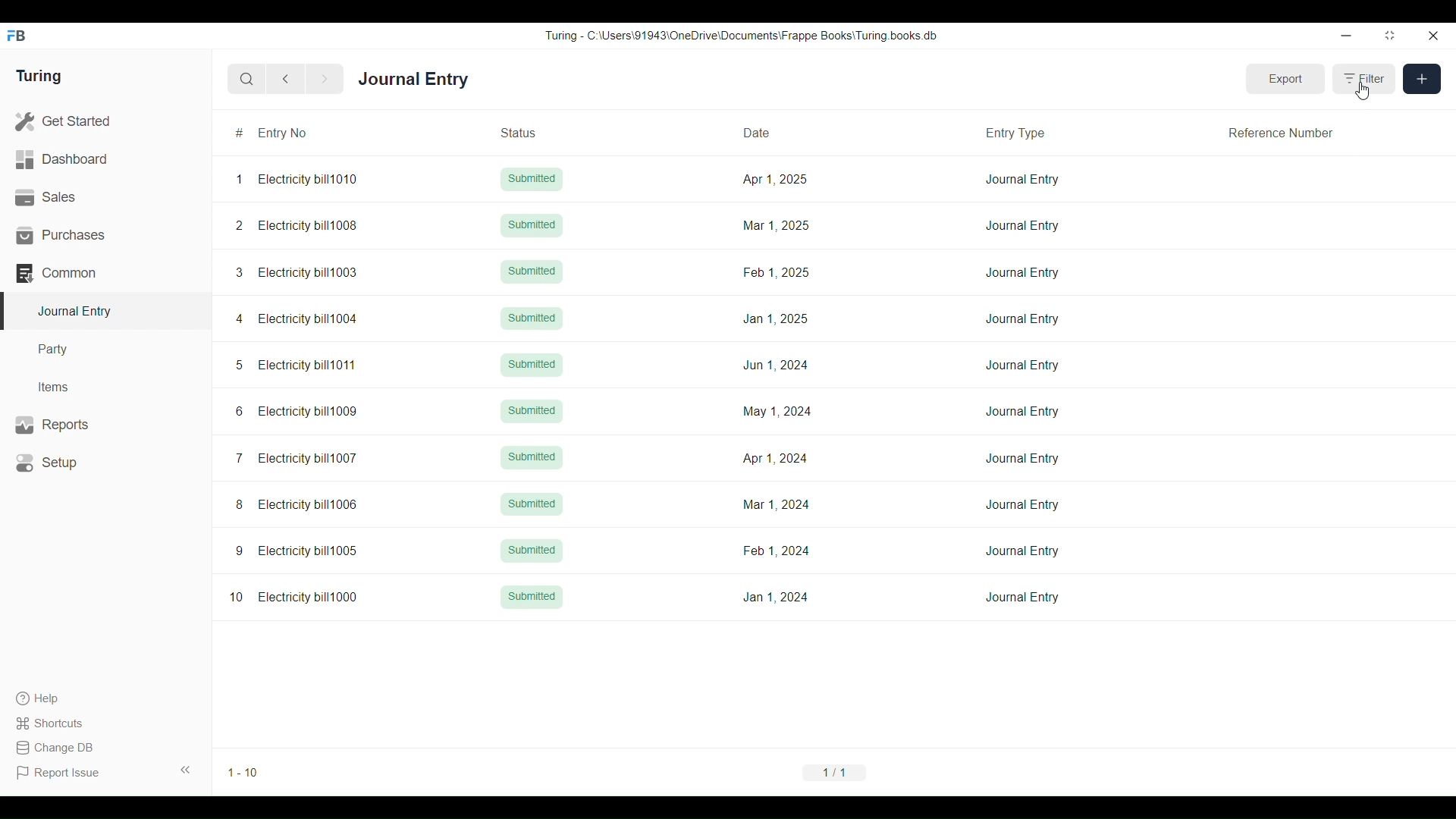  Describe the element at coordinates (58, 723) in the screenshot. I see `Shortcuts` at that location.